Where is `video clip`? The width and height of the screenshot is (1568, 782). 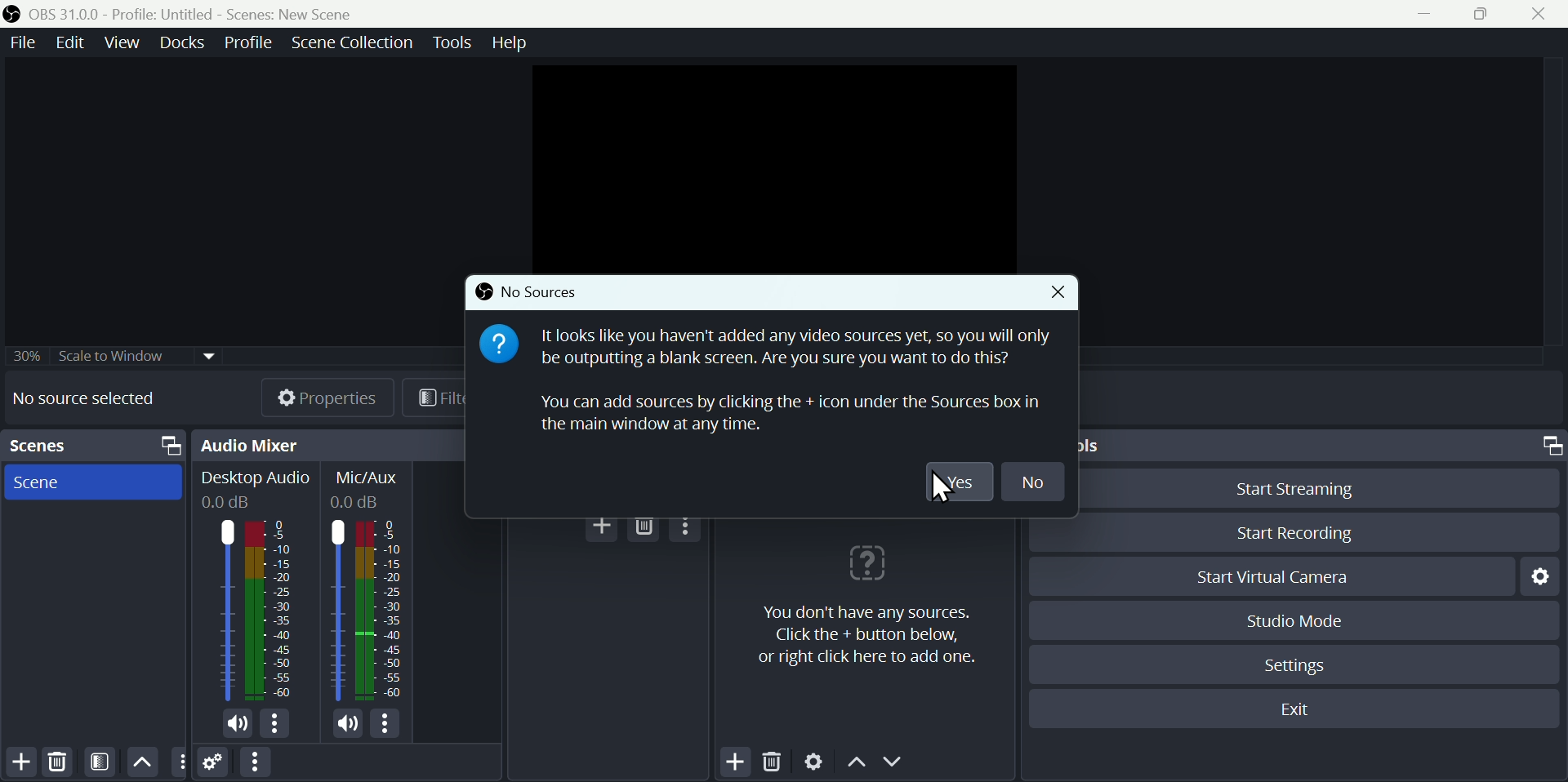
video clip is located at coordinates (771, 167).